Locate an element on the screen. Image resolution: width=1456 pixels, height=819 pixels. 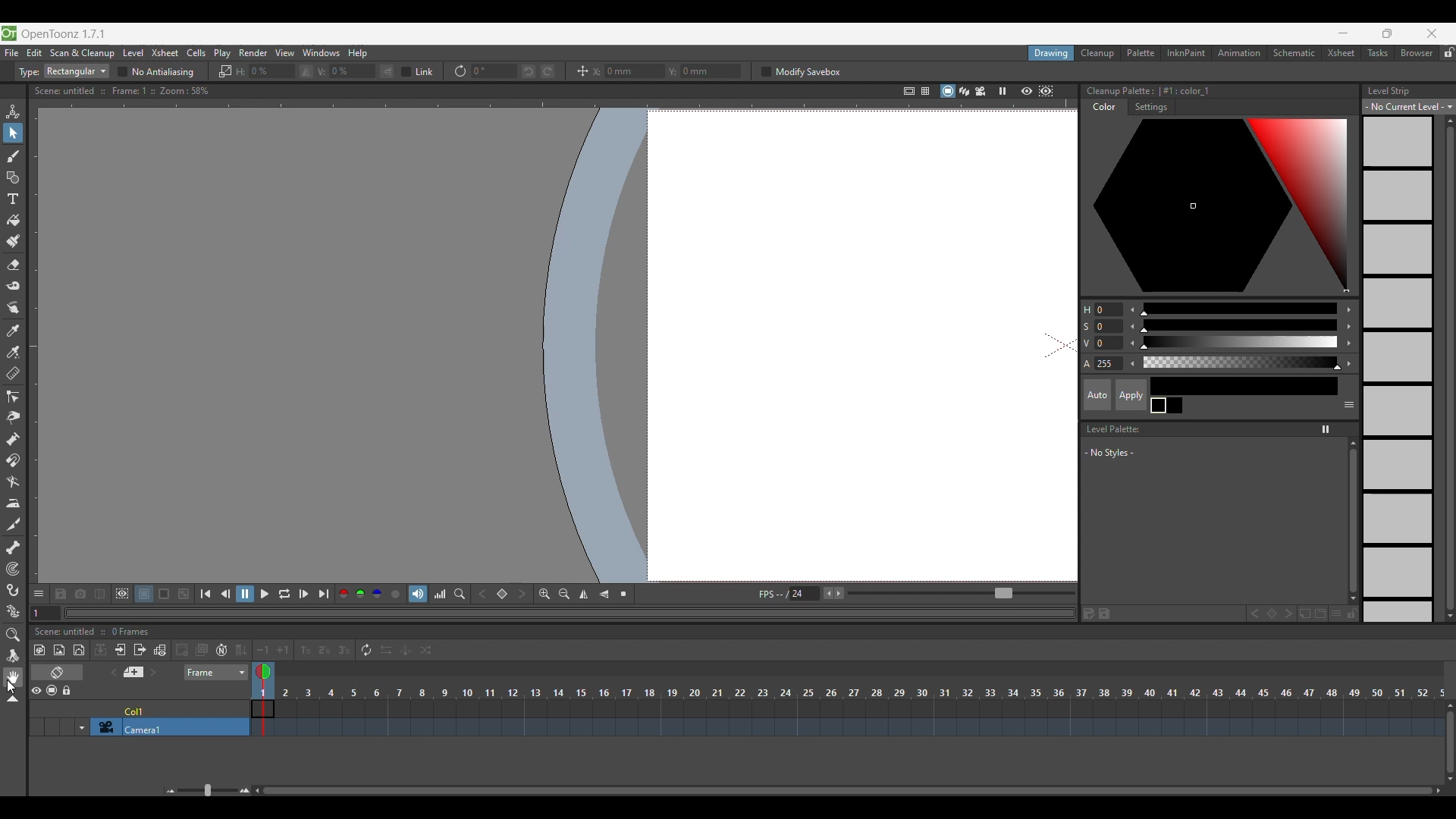
Input degree of vertical flip manually is located at coordinates (347, 71).